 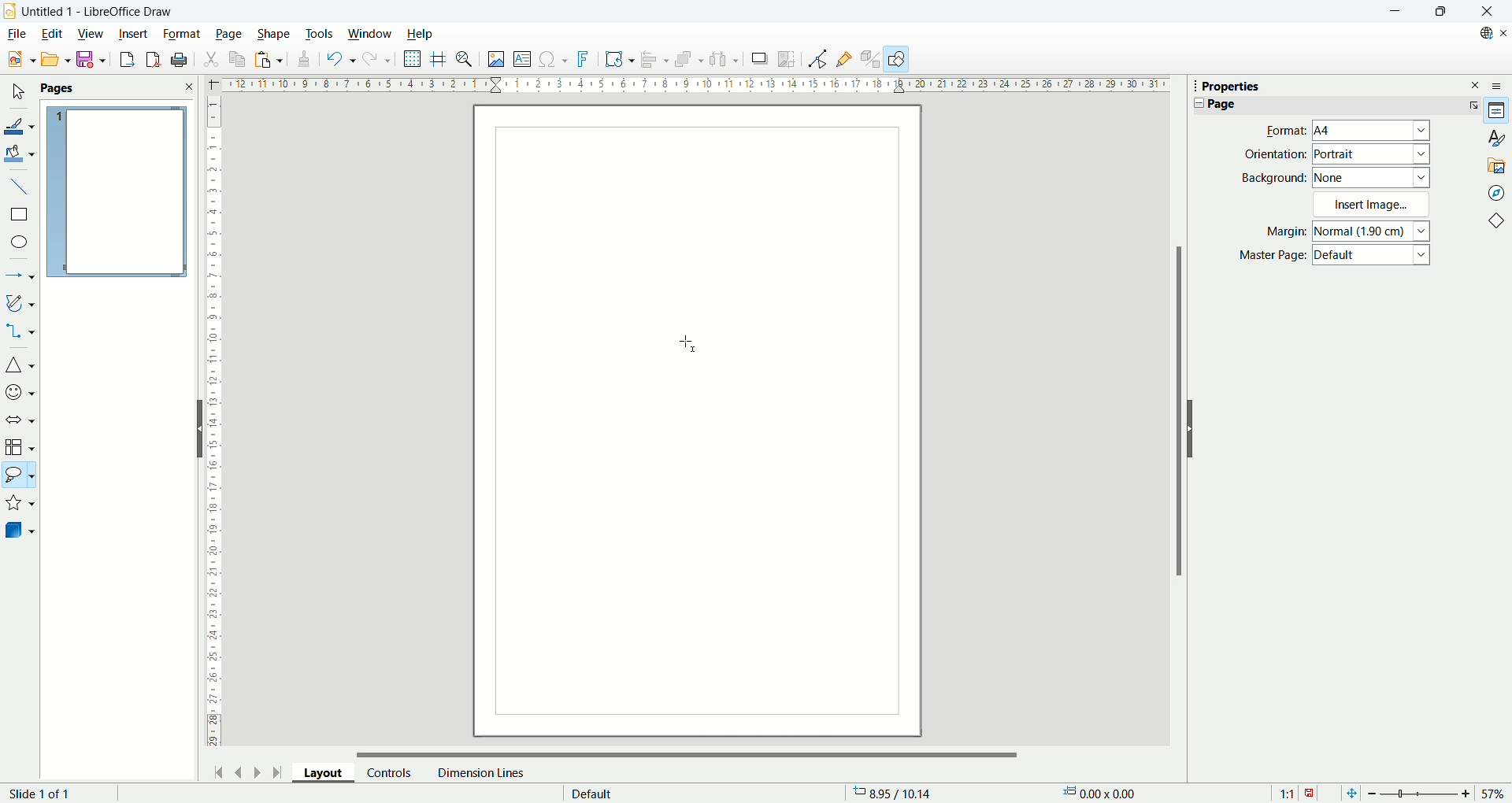 What do you see at coordinates (43, 794) in the screenshot?
I see `slide number` at bounding box center [43, 794].